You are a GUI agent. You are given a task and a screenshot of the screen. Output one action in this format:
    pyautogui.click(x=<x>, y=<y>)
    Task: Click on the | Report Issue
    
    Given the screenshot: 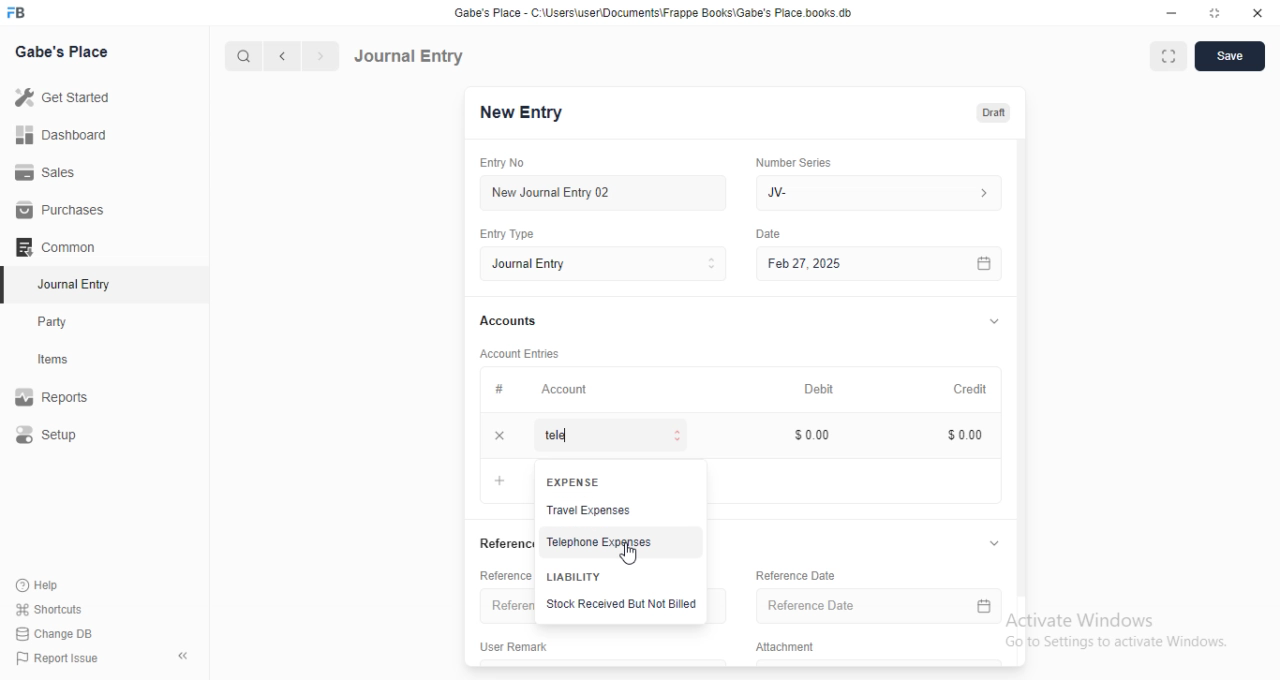 What is the action you would take?
    pyautogui.click(x=59, y=658)
    